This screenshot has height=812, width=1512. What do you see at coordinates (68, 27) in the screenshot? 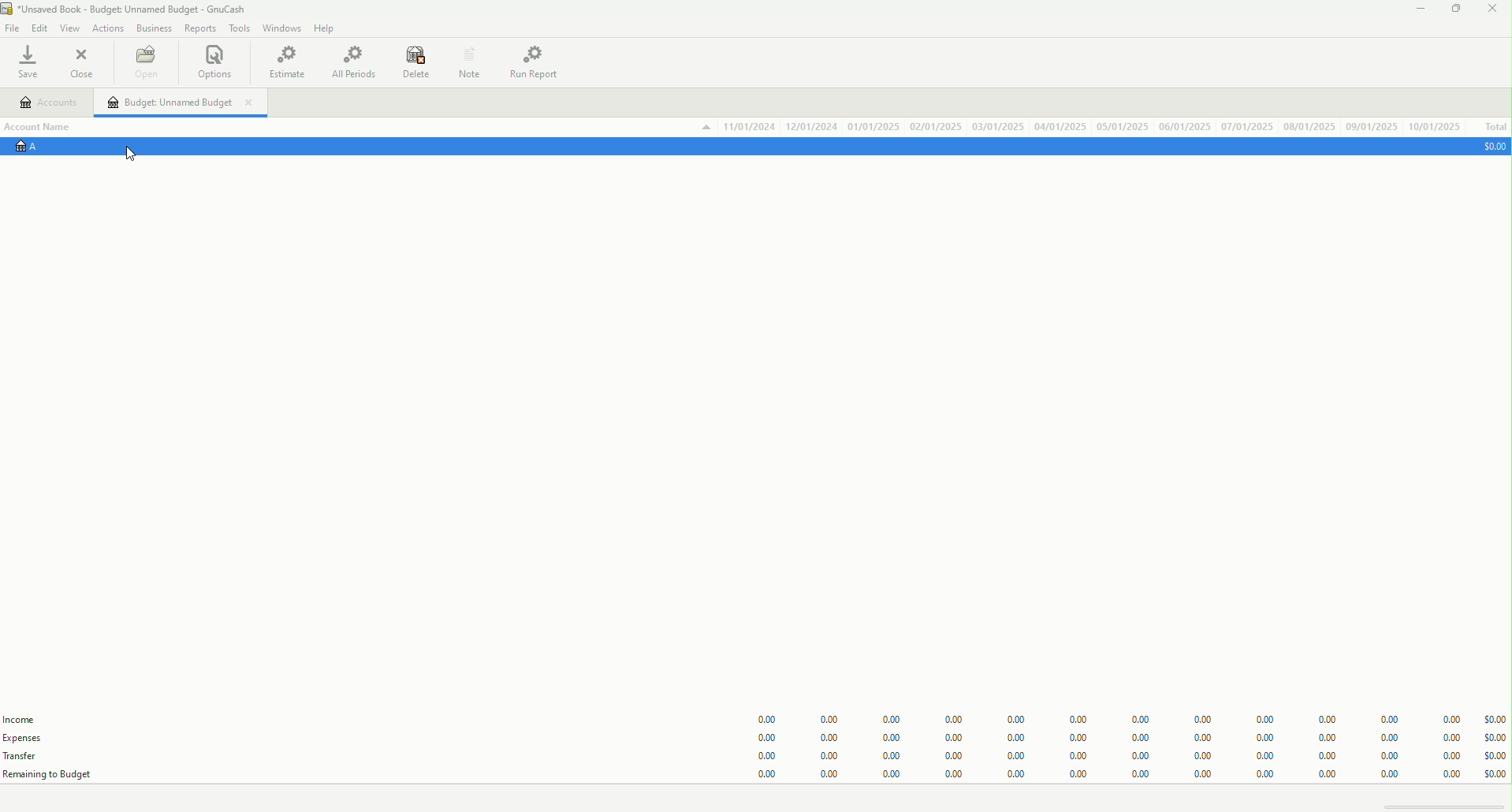
I see `View` at bounding box center [68, 27].